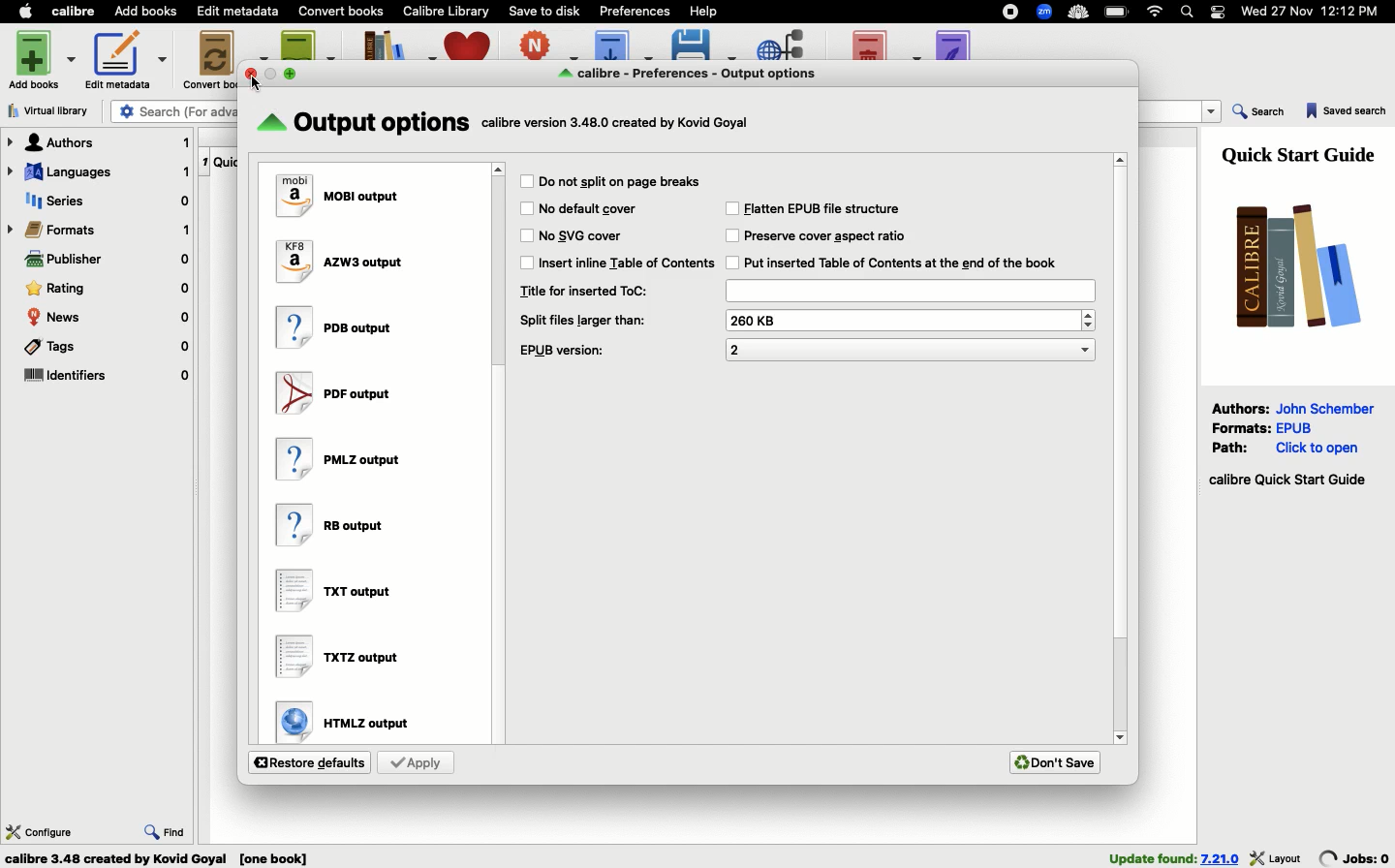 The width and height of the screenshot is (1395, 868). Describe the element at coordinates (1317, 449) in the screenshot. I see `click to open` at that location.